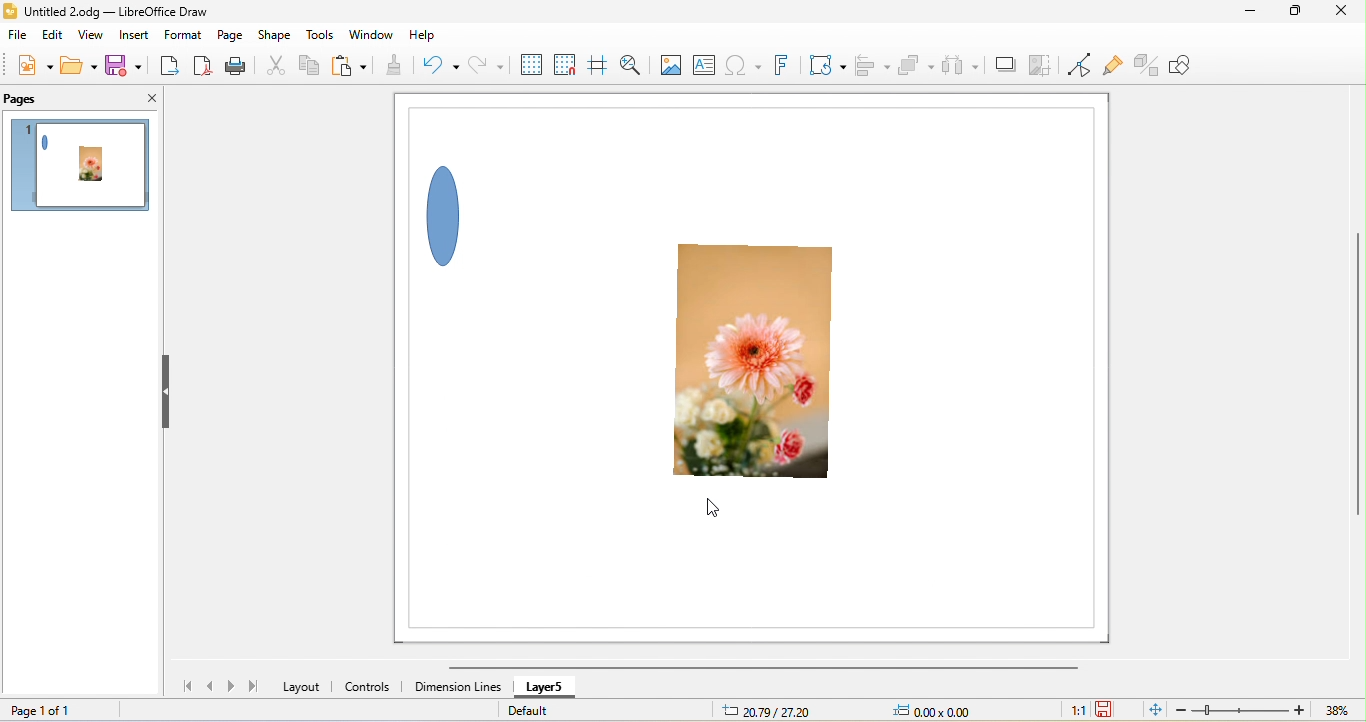 This screenshot has height=722, width=1366. I want to click on minimize, so click(1252, 13).